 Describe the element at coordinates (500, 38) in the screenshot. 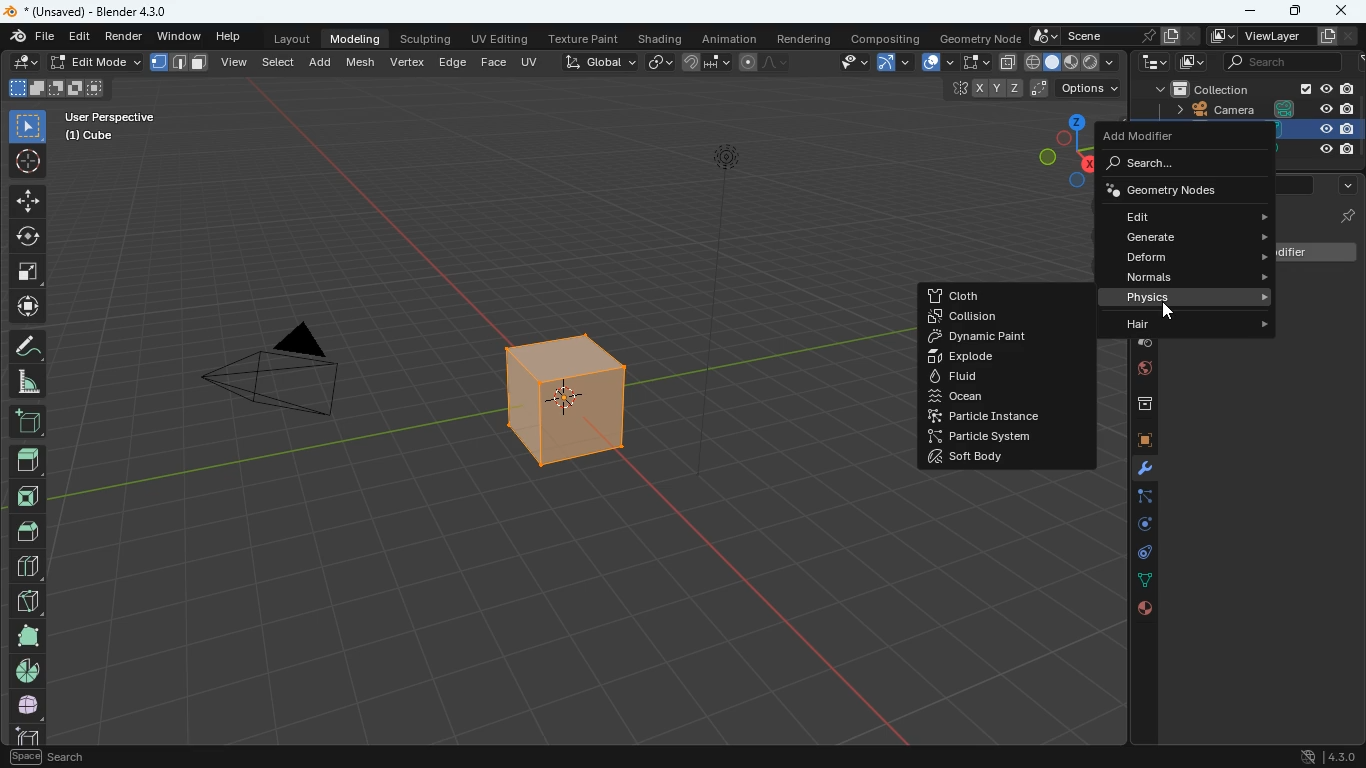

I see `uv editing` at that location.